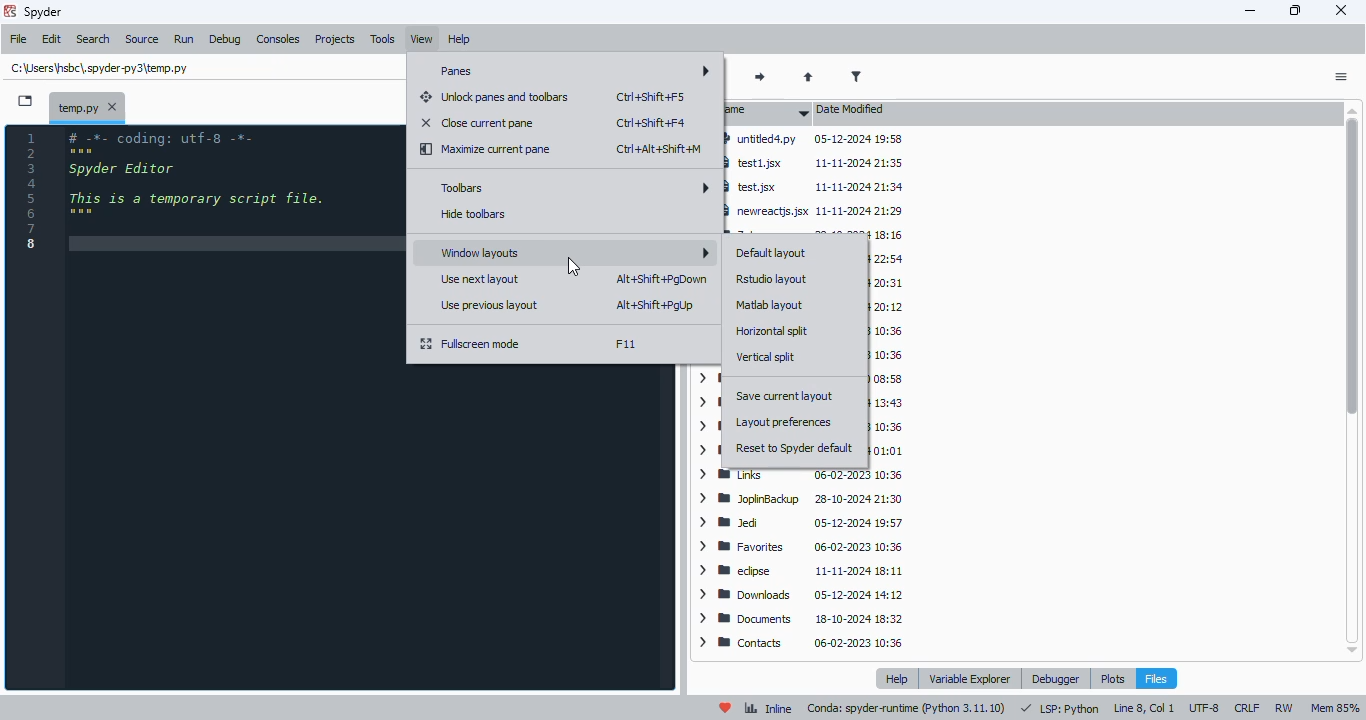  I want to click on LSP:PYTHON, so click(1059, 709).